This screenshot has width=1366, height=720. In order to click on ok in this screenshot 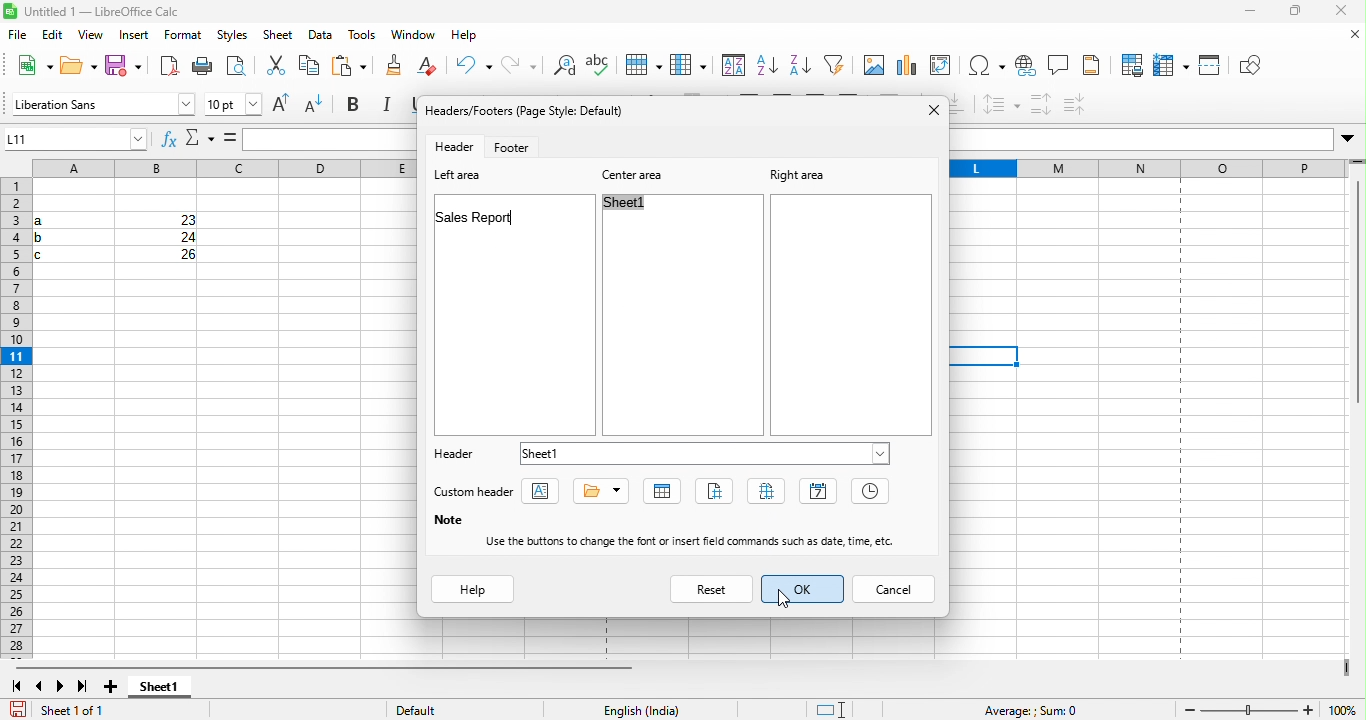, I will do `click(801, 589)`.